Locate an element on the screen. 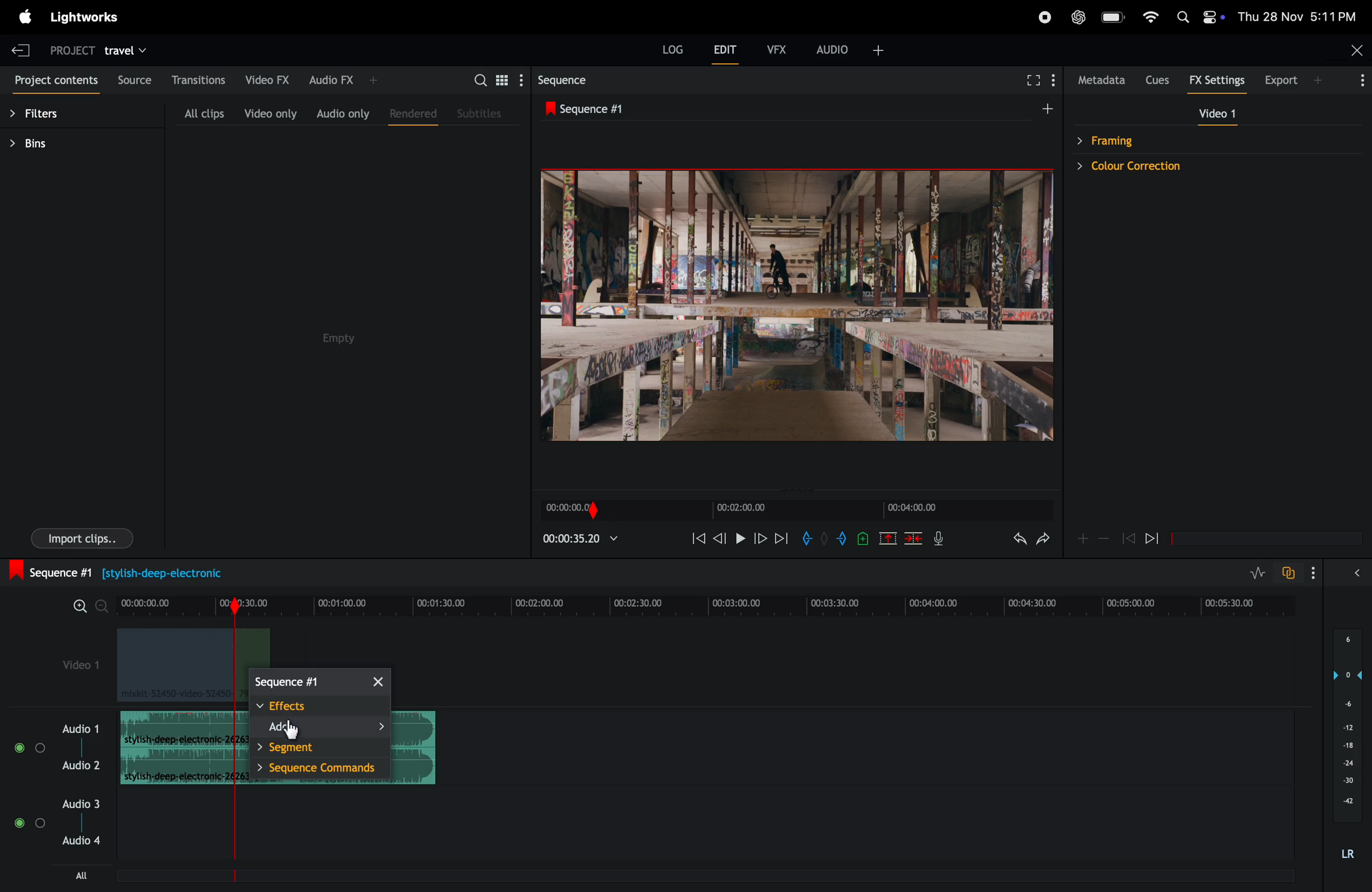 This screenshot has height=892, width=1372. sequence is located at coordinates (318, 681).